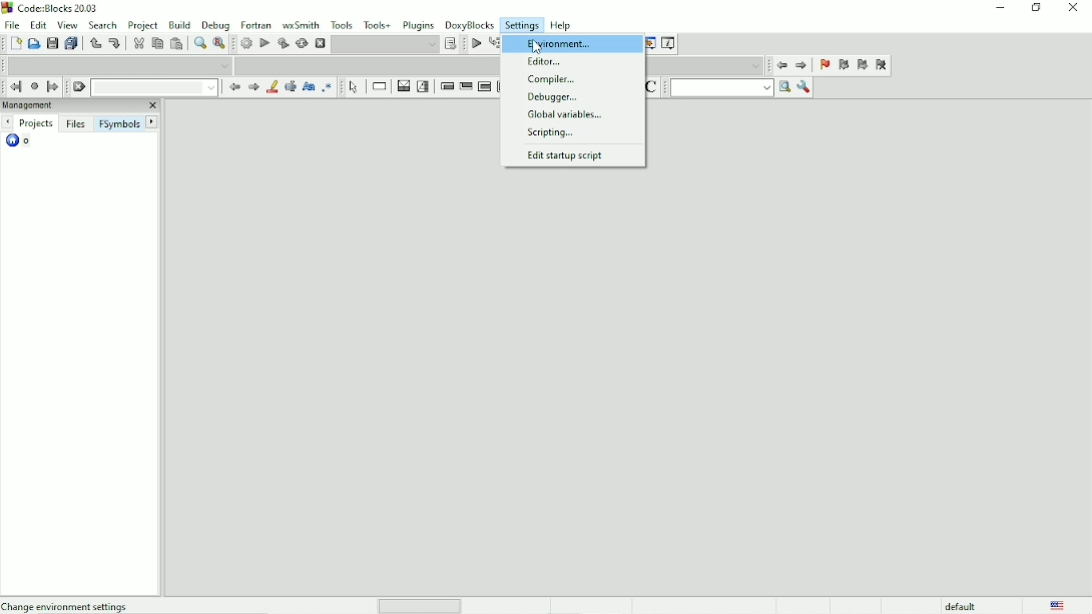 The width and height of the screenshot is (1092, 614). I want to click on Select, so click(356, 88).